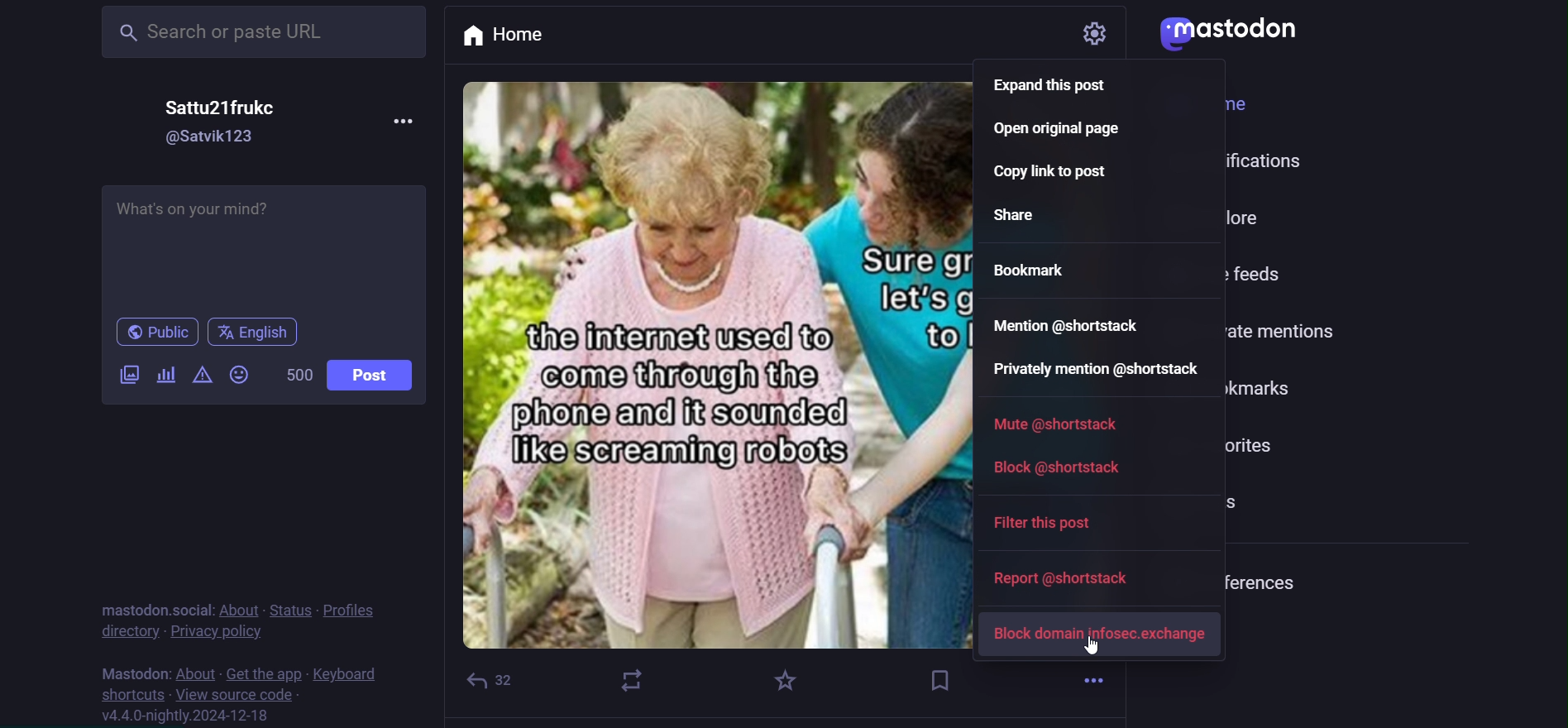 The image size is (1568, 728). What do you see at coordinates (212, 137) in the screenshot?
I see `@satvik123` at bounding box center [212, 137].